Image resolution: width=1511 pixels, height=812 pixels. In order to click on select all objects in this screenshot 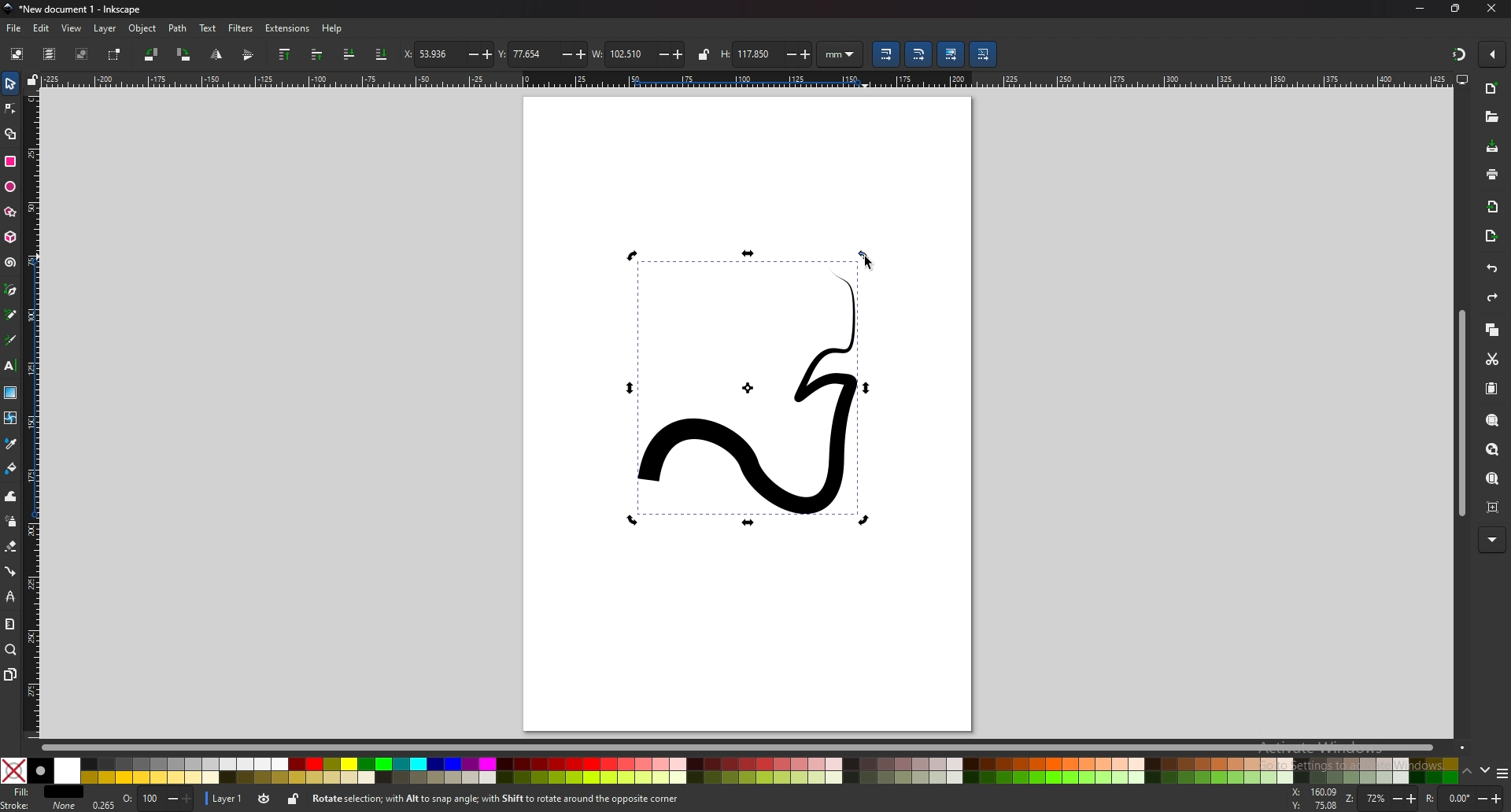, I will do `click(17, 53)`.